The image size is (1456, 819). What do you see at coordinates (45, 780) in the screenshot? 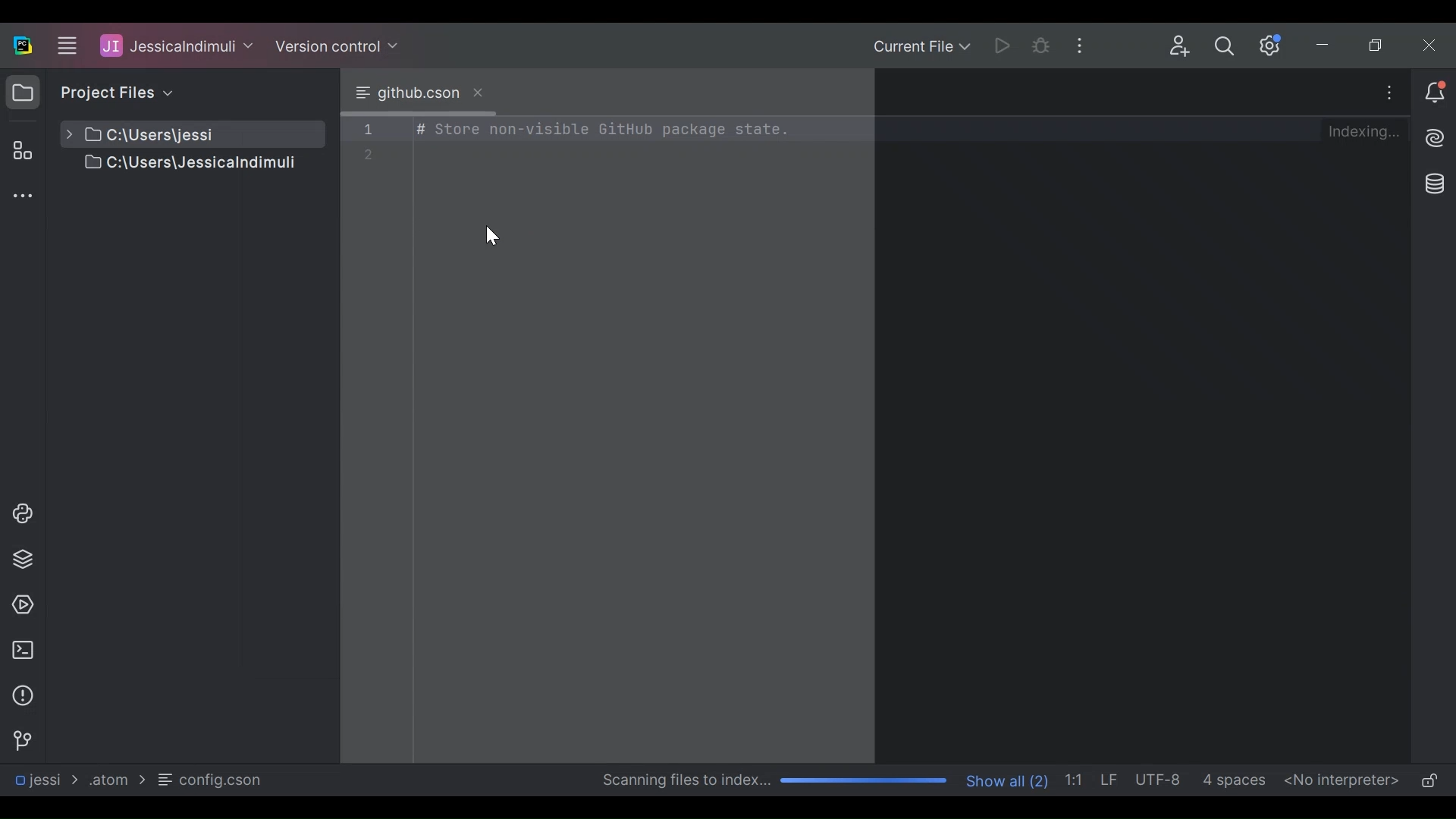
I see `Project File Path` at bounding box center [45, 780].